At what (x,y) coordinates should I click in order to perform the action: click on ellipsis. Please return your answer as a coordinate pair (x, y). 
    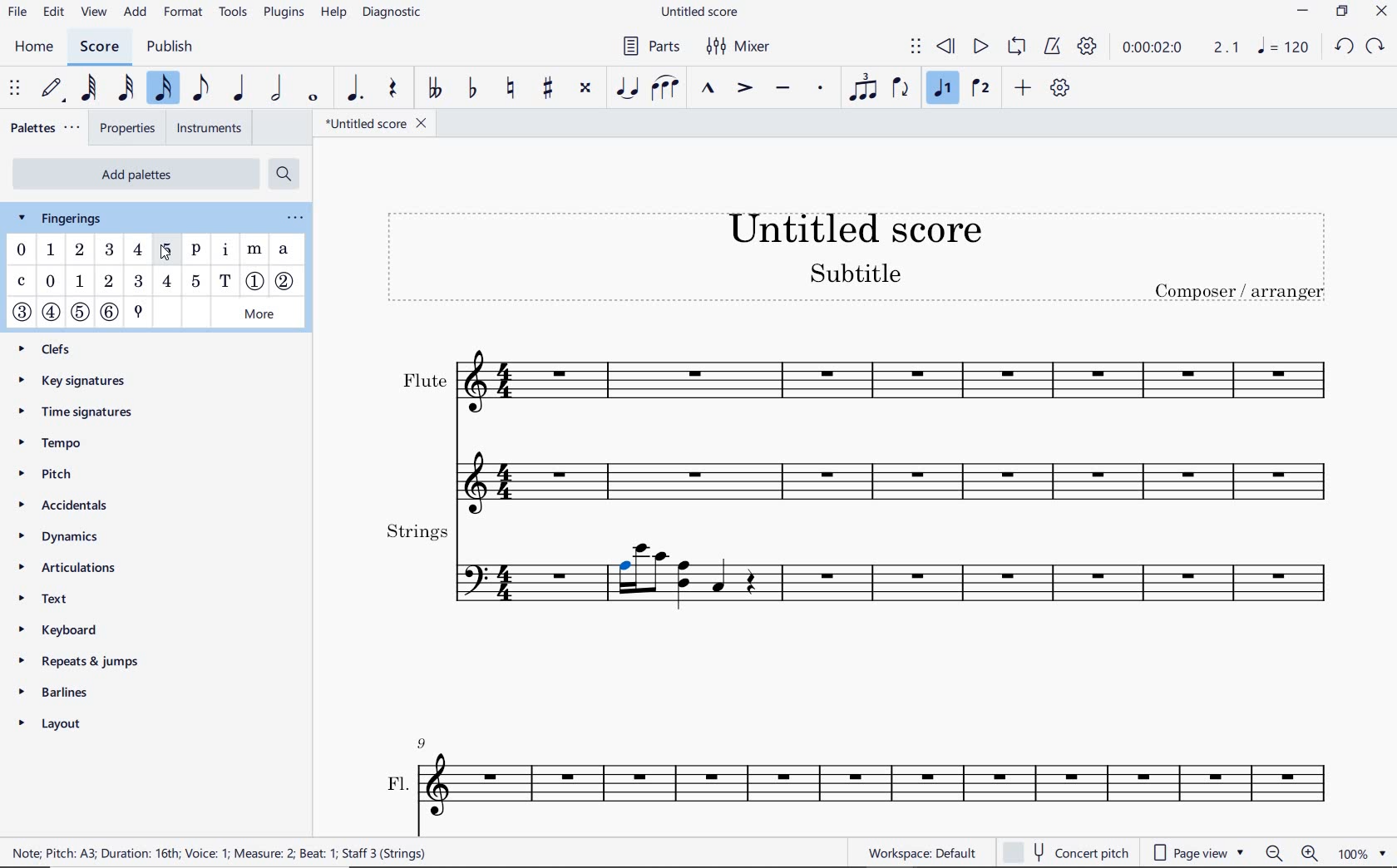
    Looking at the image, I should click on (292, 218).